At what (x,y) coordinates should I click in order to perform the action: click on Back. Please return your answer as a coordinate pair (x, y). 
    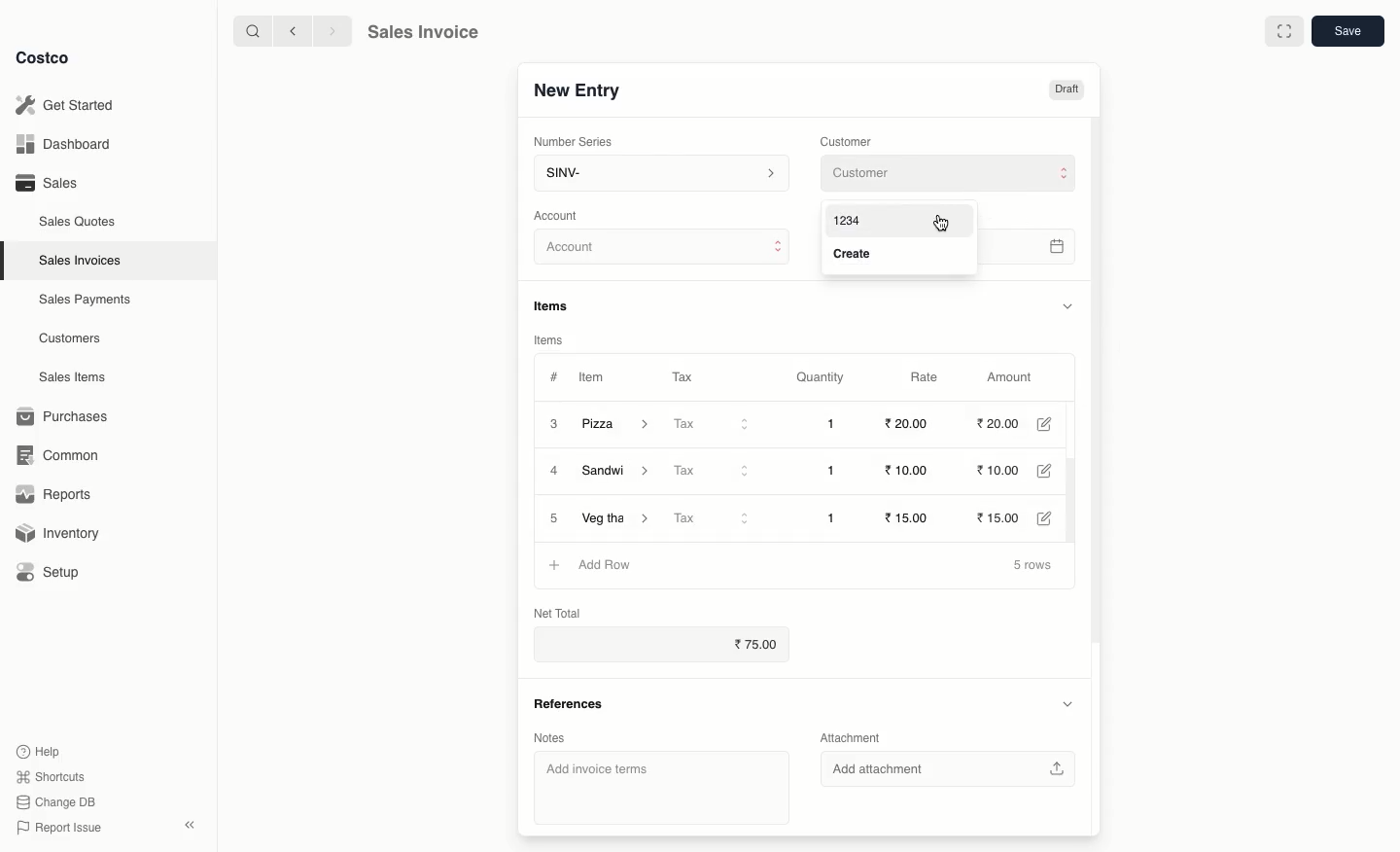
    Looking at the image, I should click on (291, 31).